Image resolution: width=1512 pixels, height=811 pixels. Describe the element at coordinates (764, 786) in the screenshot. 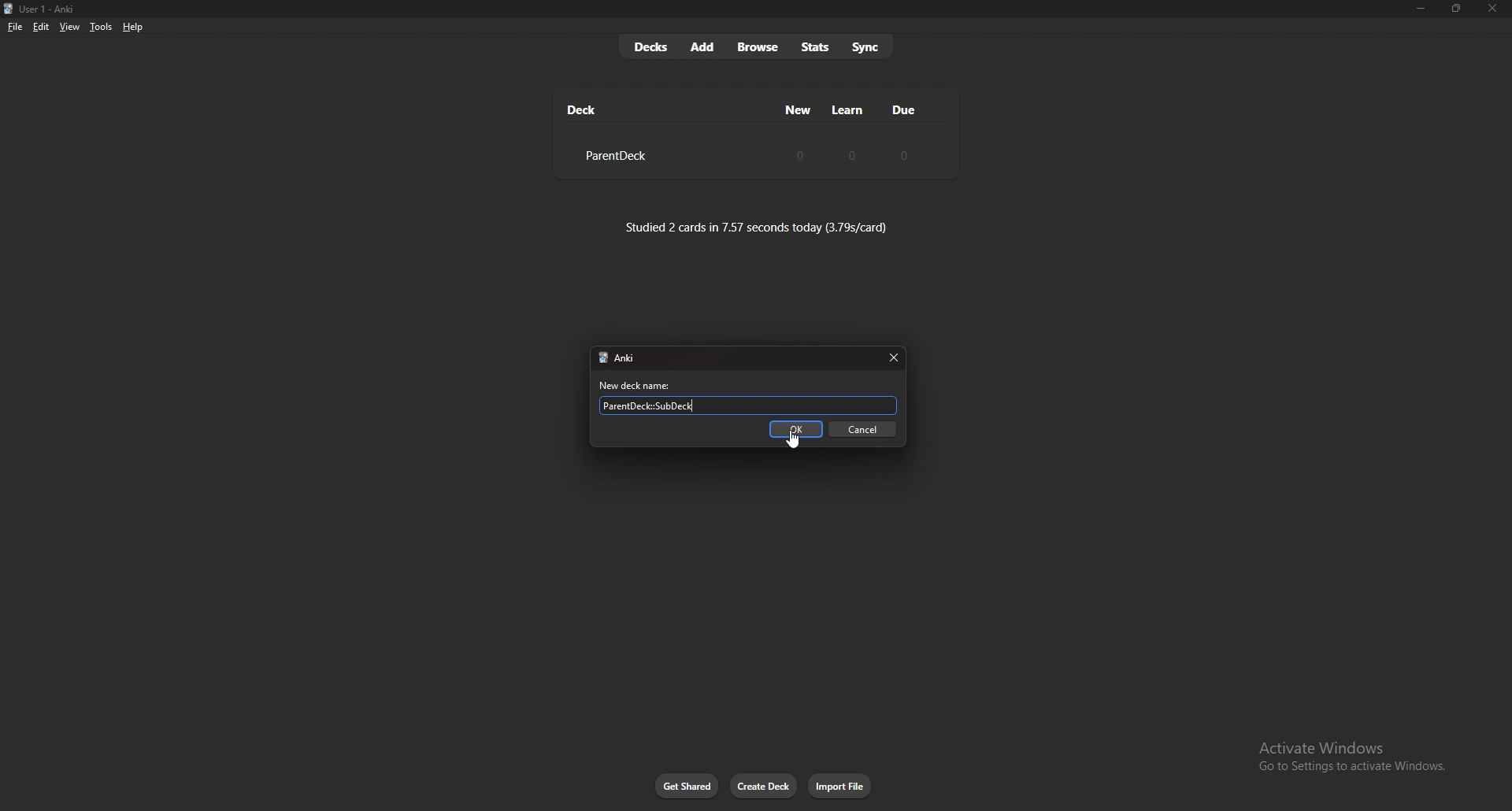

I see `create deck` at that location.